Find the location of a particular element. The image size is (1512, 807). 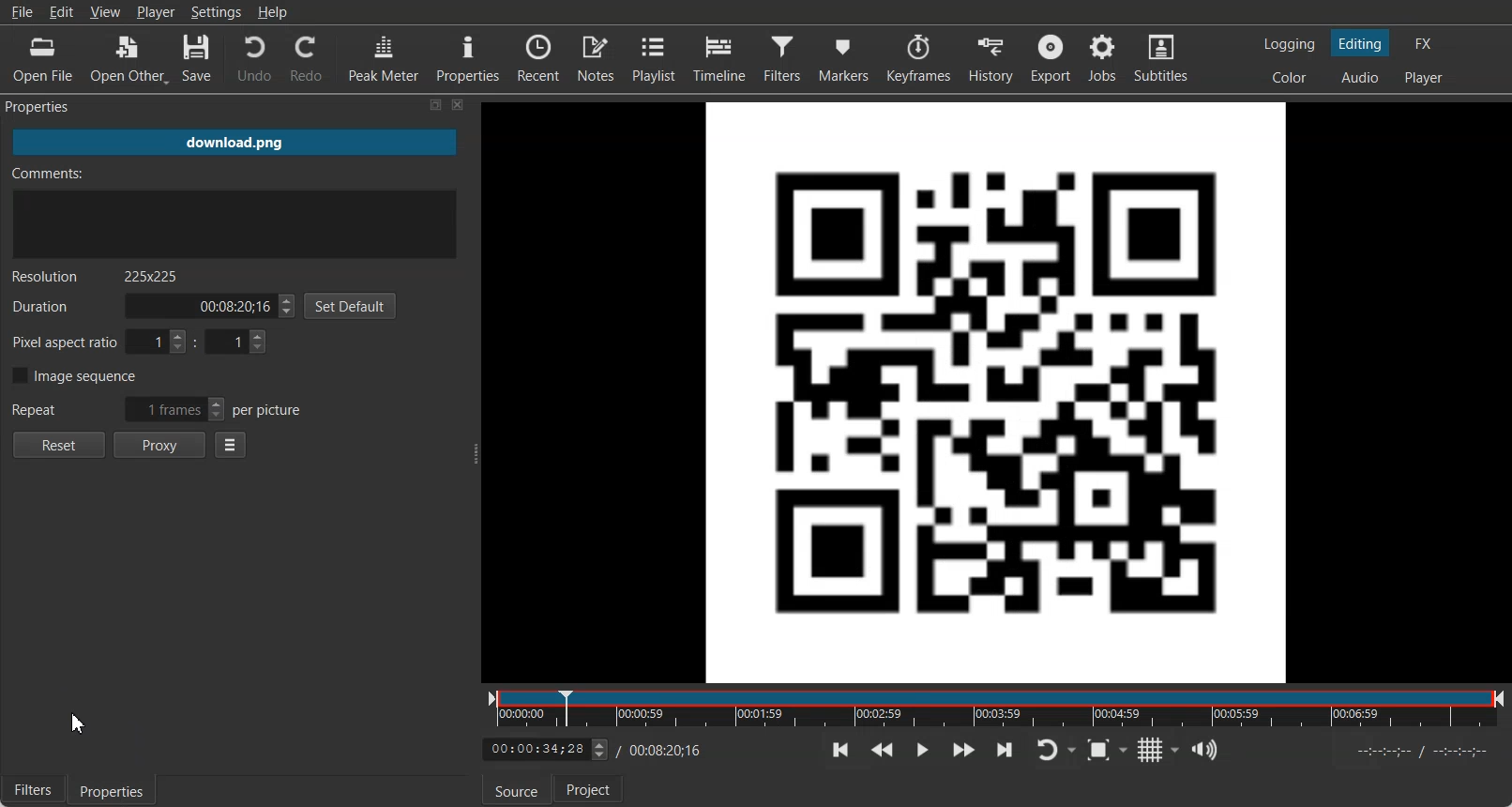

Filters is located at coordinates (783, 58).